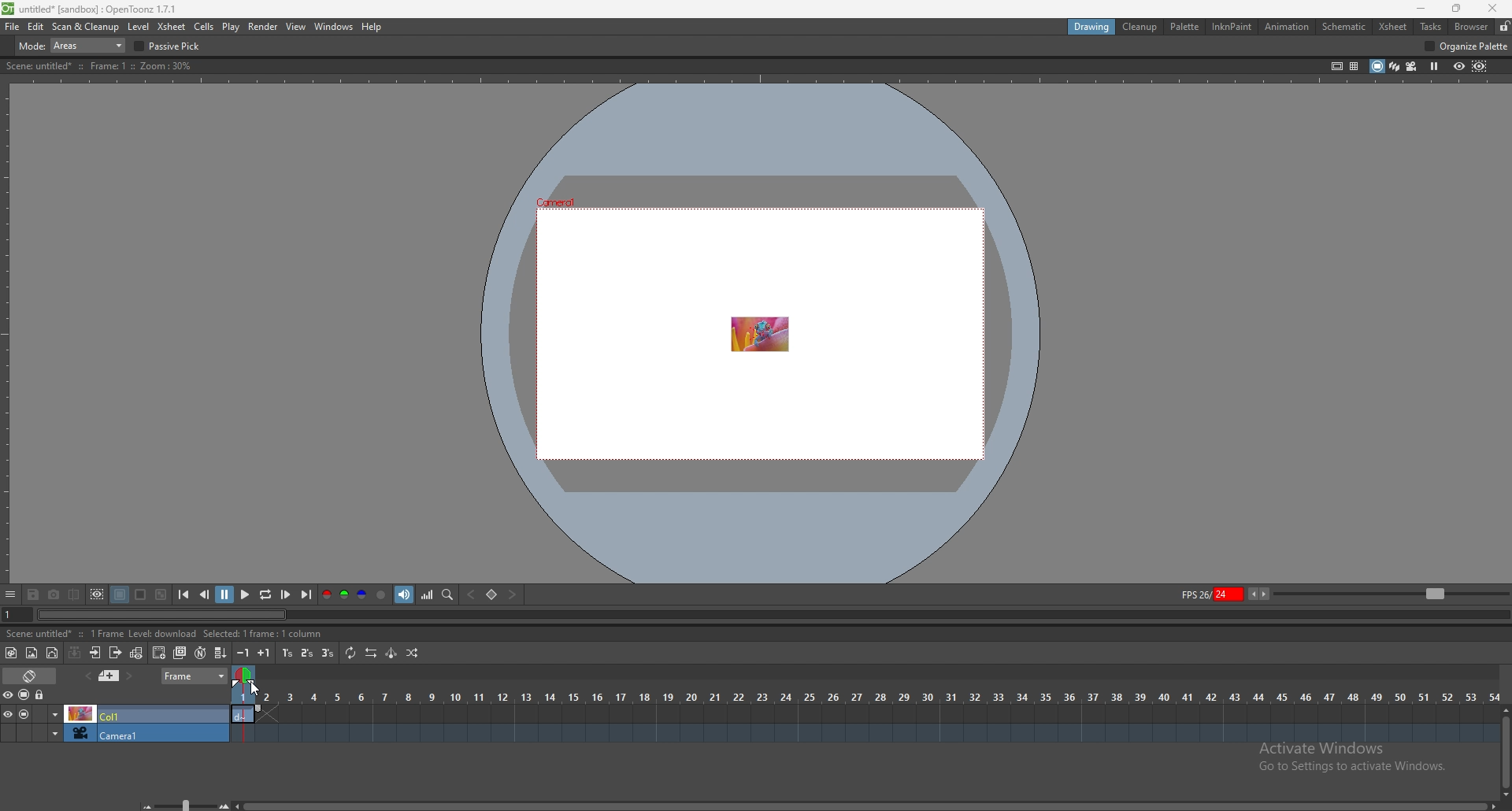 Image resolution: width=1512 pixels, height=811 pixels. Describe the element at coordinates (98, 594) in the screenshot. I see `define sub camera` at that location.